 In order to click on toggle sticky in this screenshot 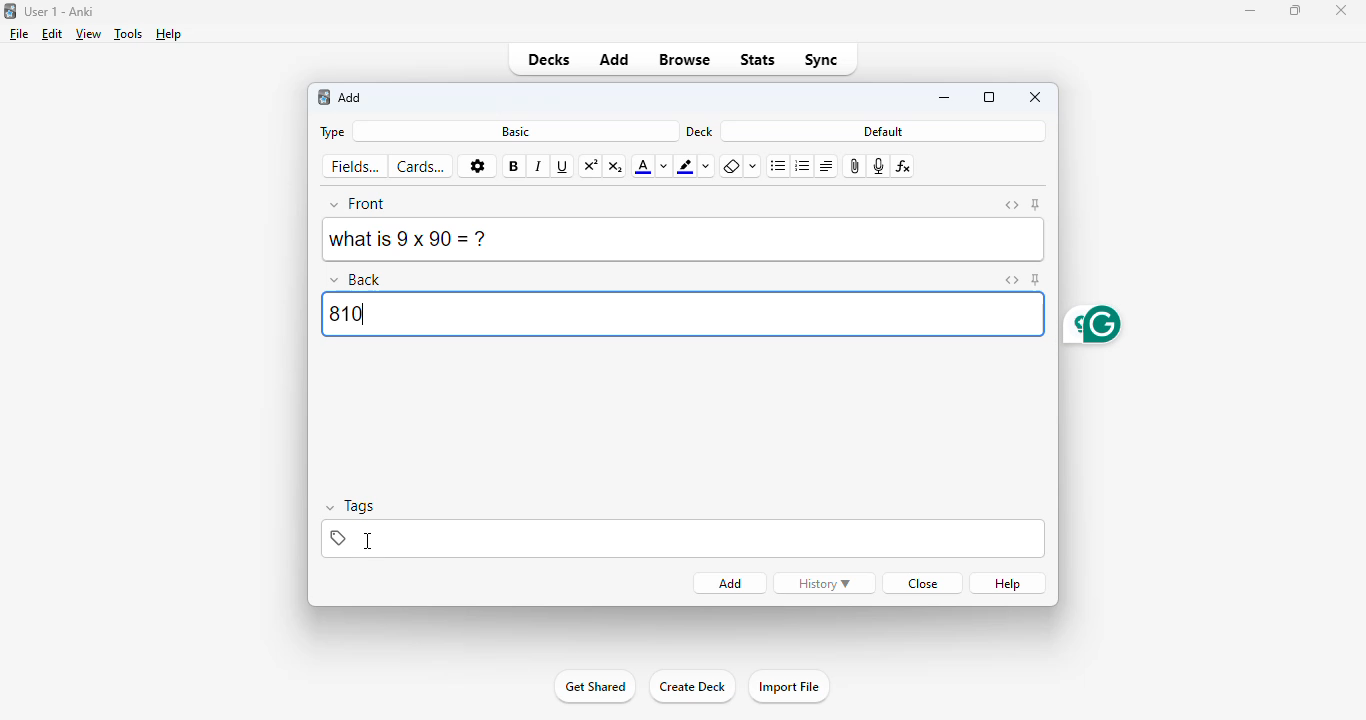, I will do `click(1036, 279)`.